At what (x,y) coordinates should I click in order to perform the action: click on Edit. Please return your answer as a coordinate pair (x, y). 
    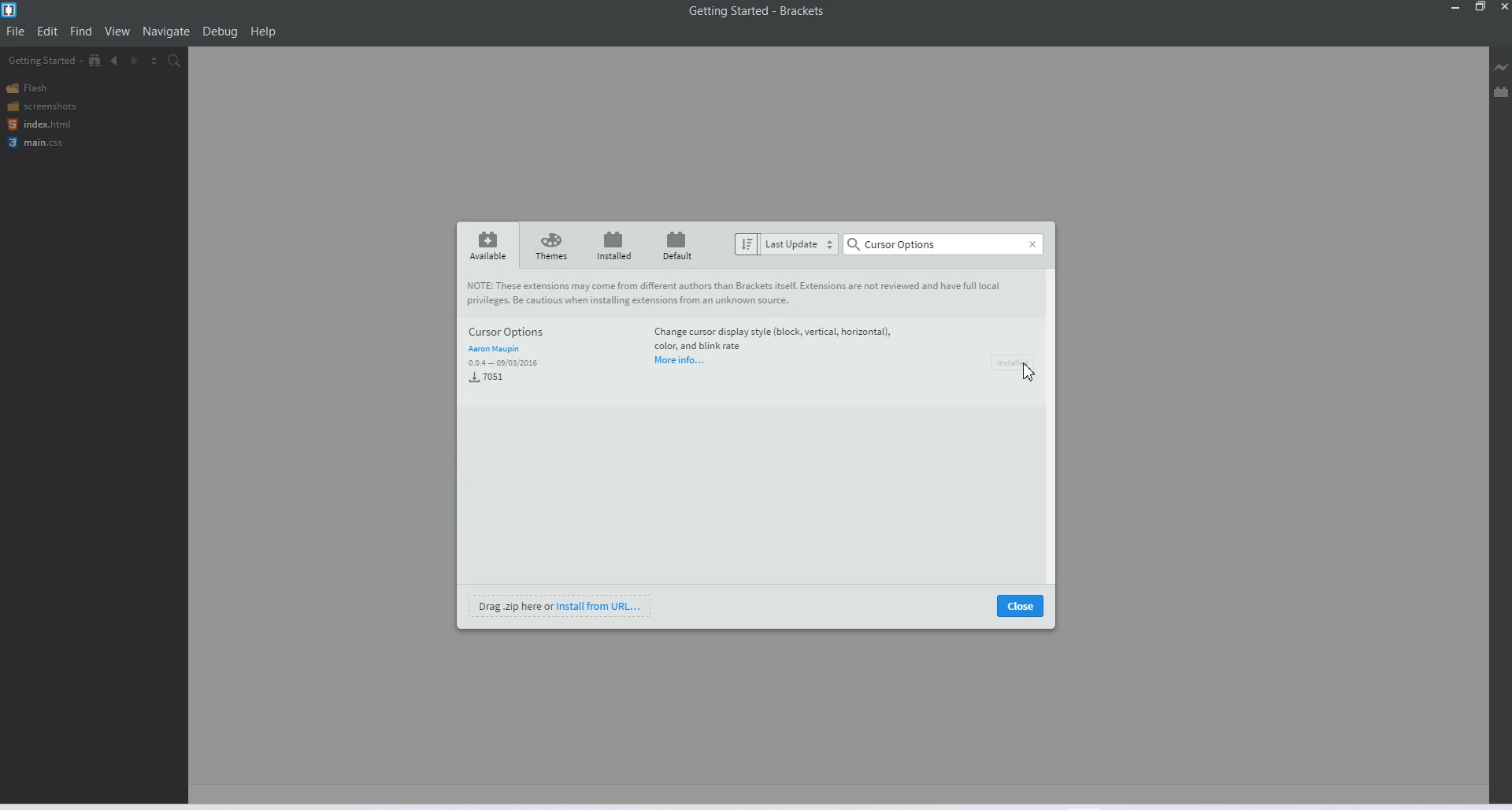
    Looking at the image, I should click on (47, 32).